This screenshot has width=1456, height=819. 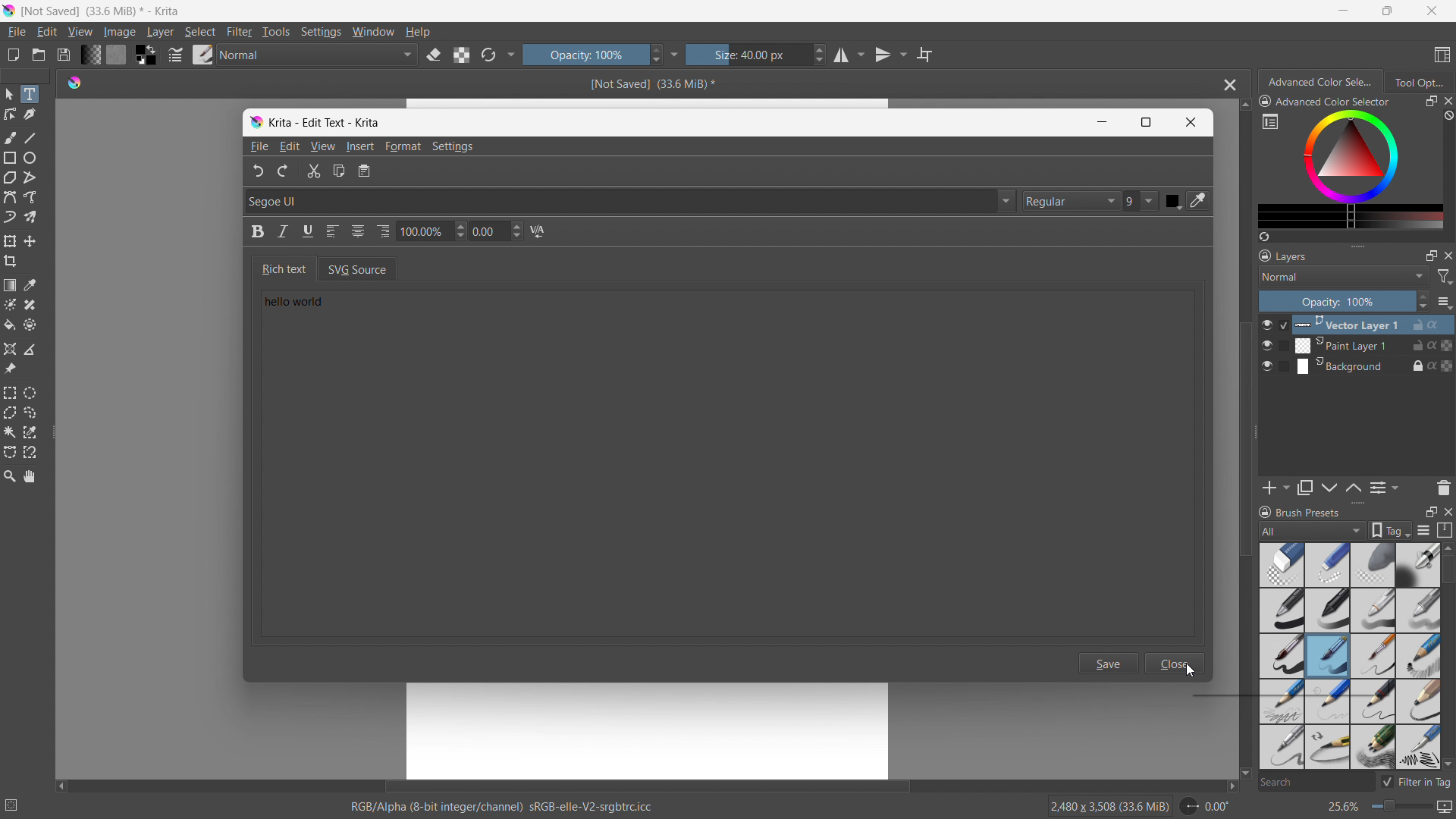 I want to click on File, so click(x=258, y=147).